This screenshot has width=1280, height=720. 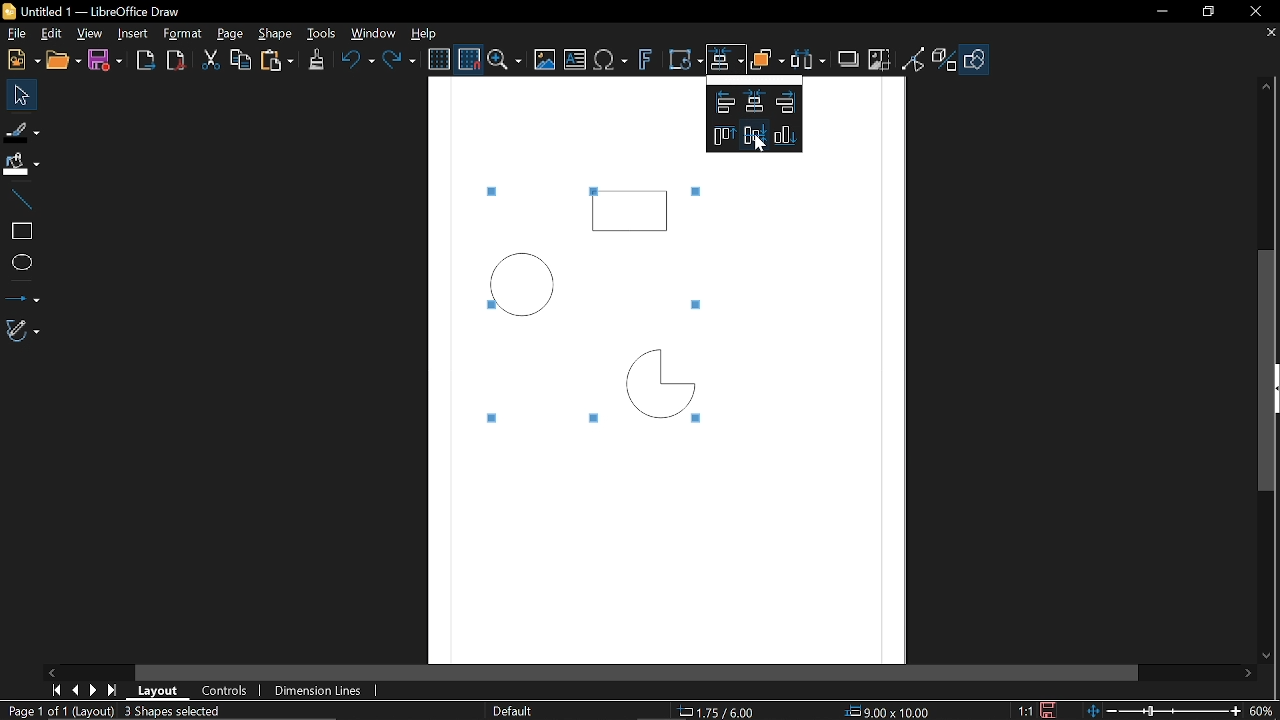 What do you see at coordinates (51, 672) in the screenshot?
I see `Move left` at bounding box center [51, 672].